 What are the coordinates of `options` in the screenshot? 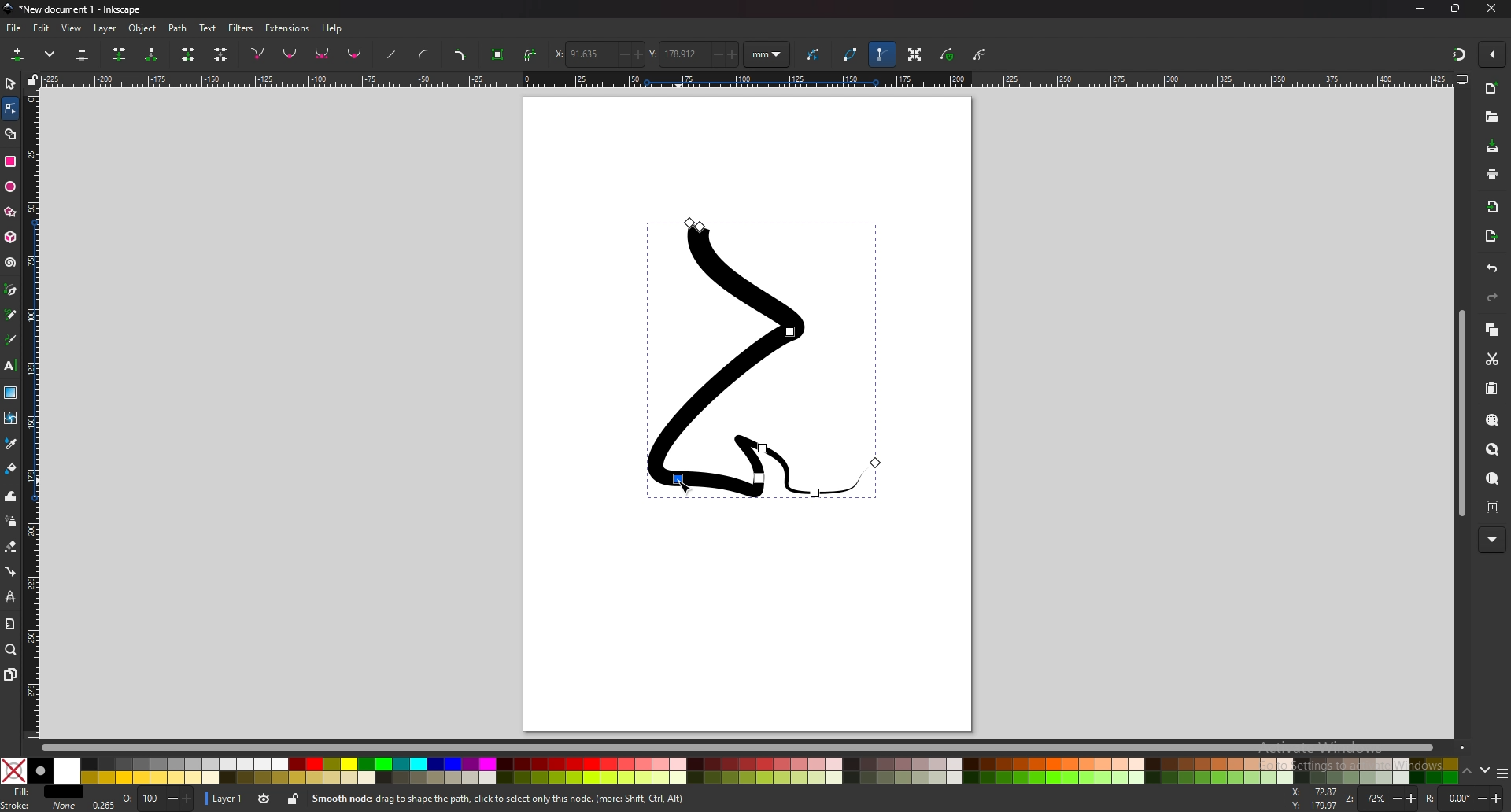 It's located at (1502, 773).